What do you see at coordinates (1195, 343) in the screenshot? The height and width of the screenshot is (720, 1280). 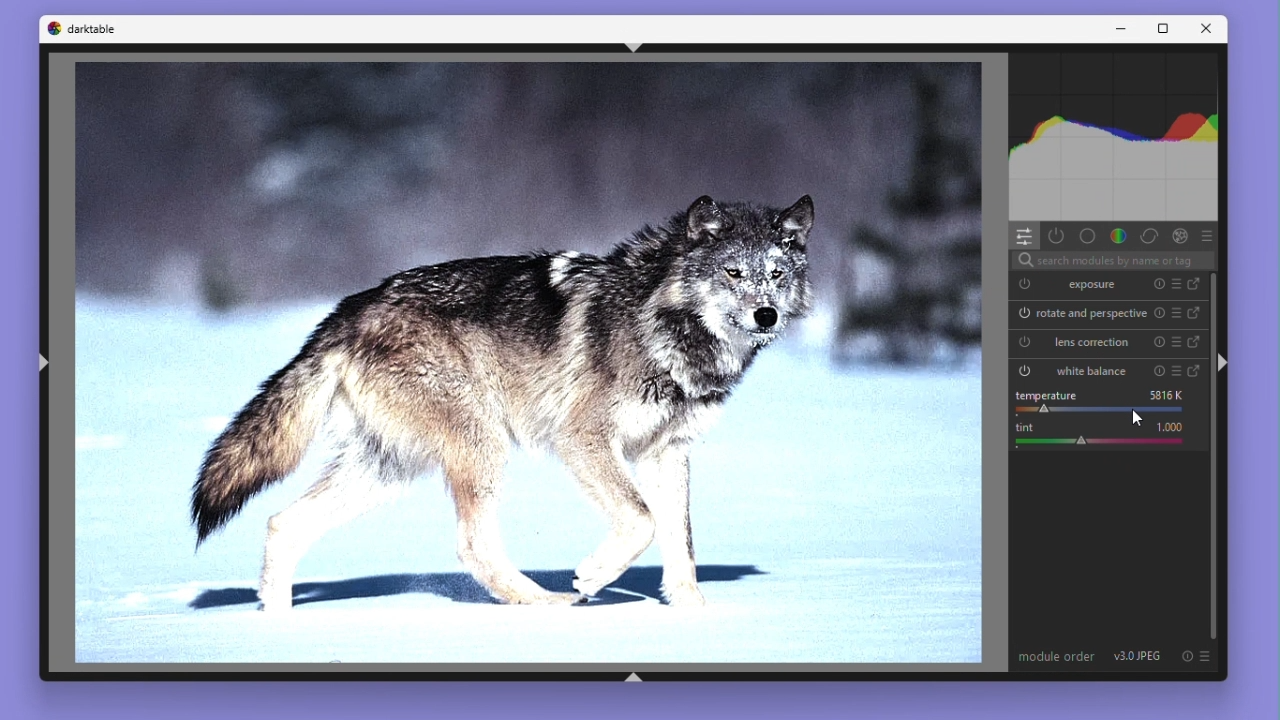 I see `Go to full version of lens correction` at bounding box center [1195, 343].